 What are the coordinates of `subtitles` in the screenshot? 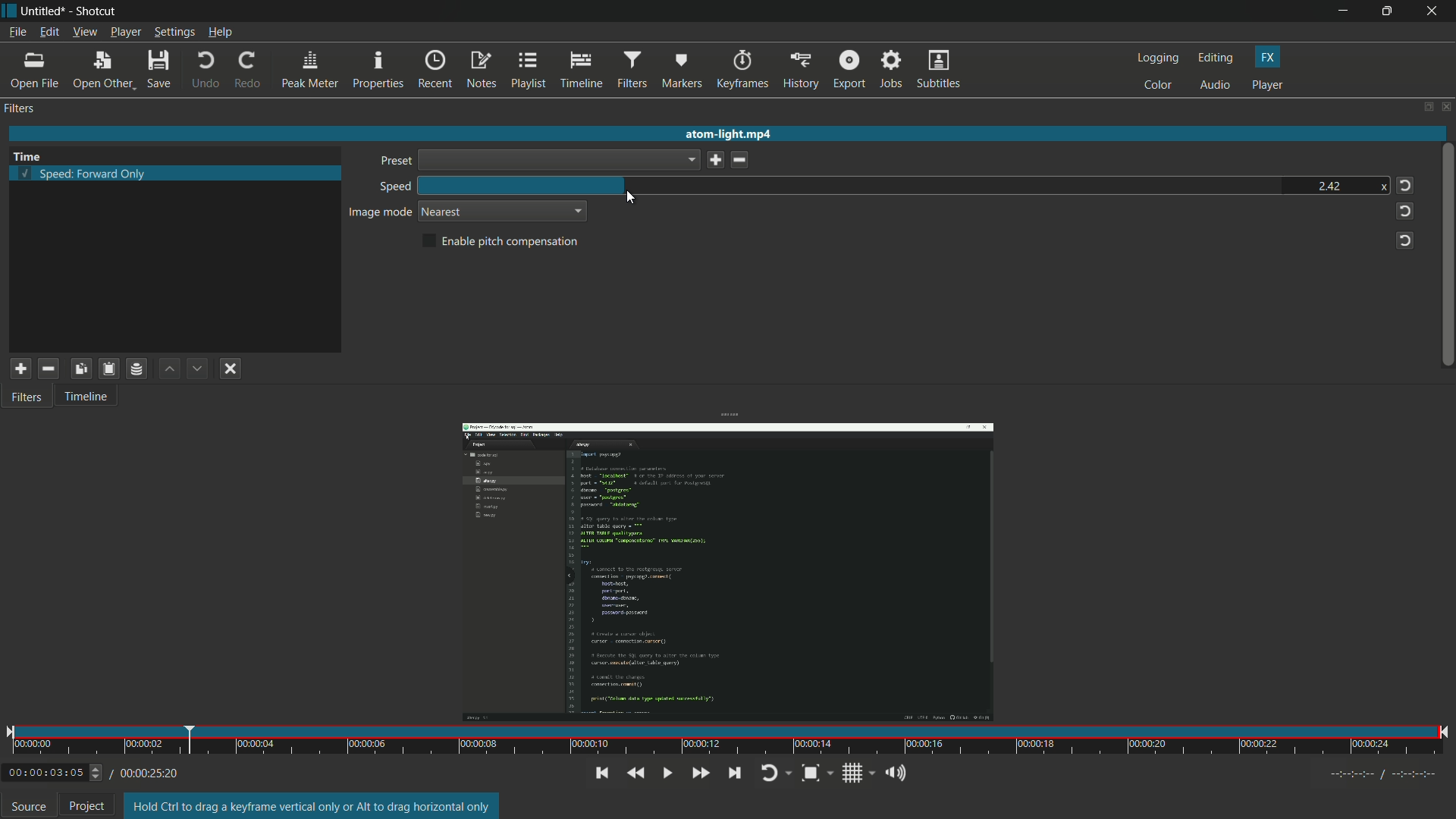 It's located at (940, 71).